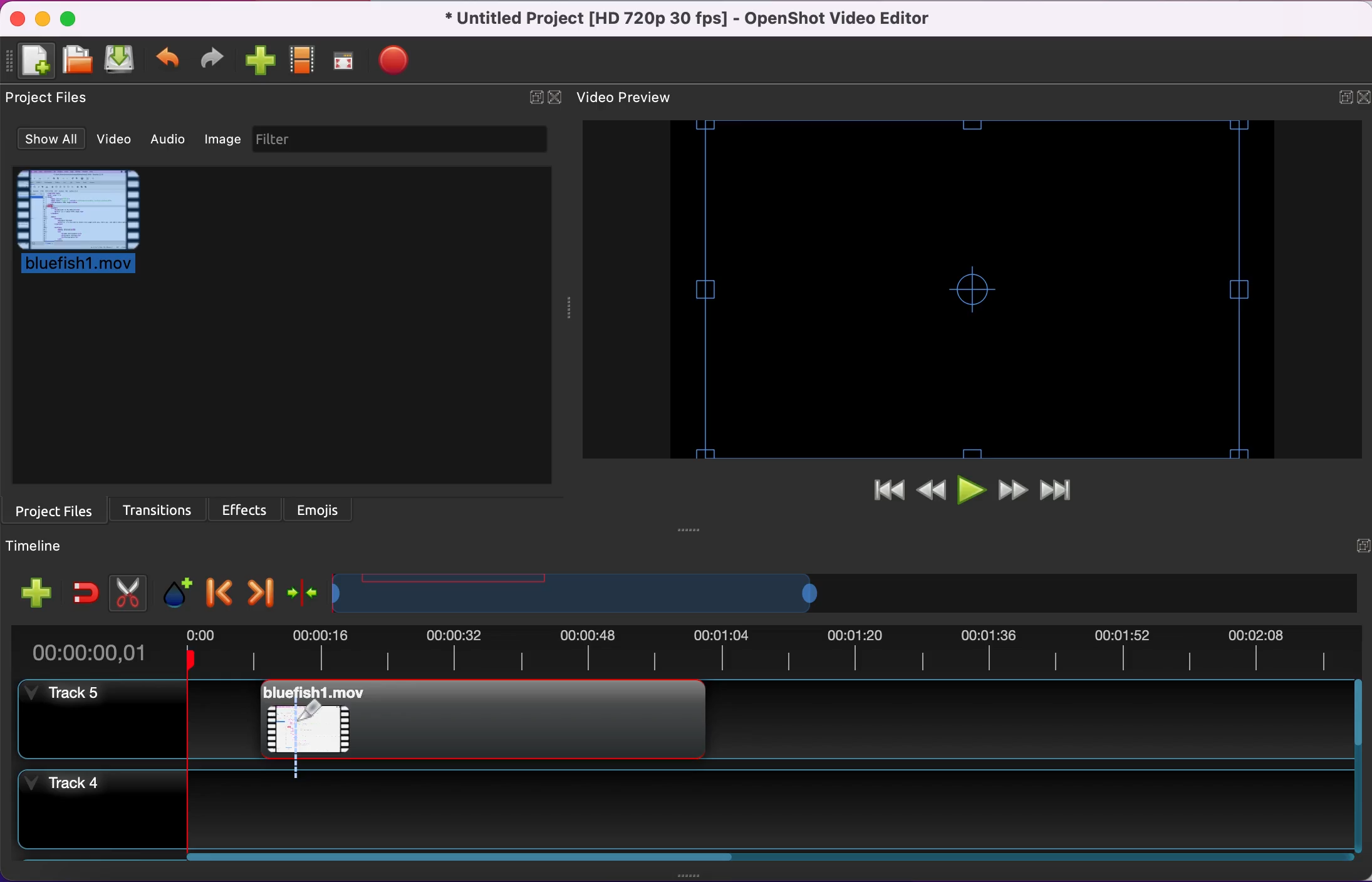  What do you see at coordinates (346, 61) in the screenshot?
I see `full screen` at bounding box center [346, 61].